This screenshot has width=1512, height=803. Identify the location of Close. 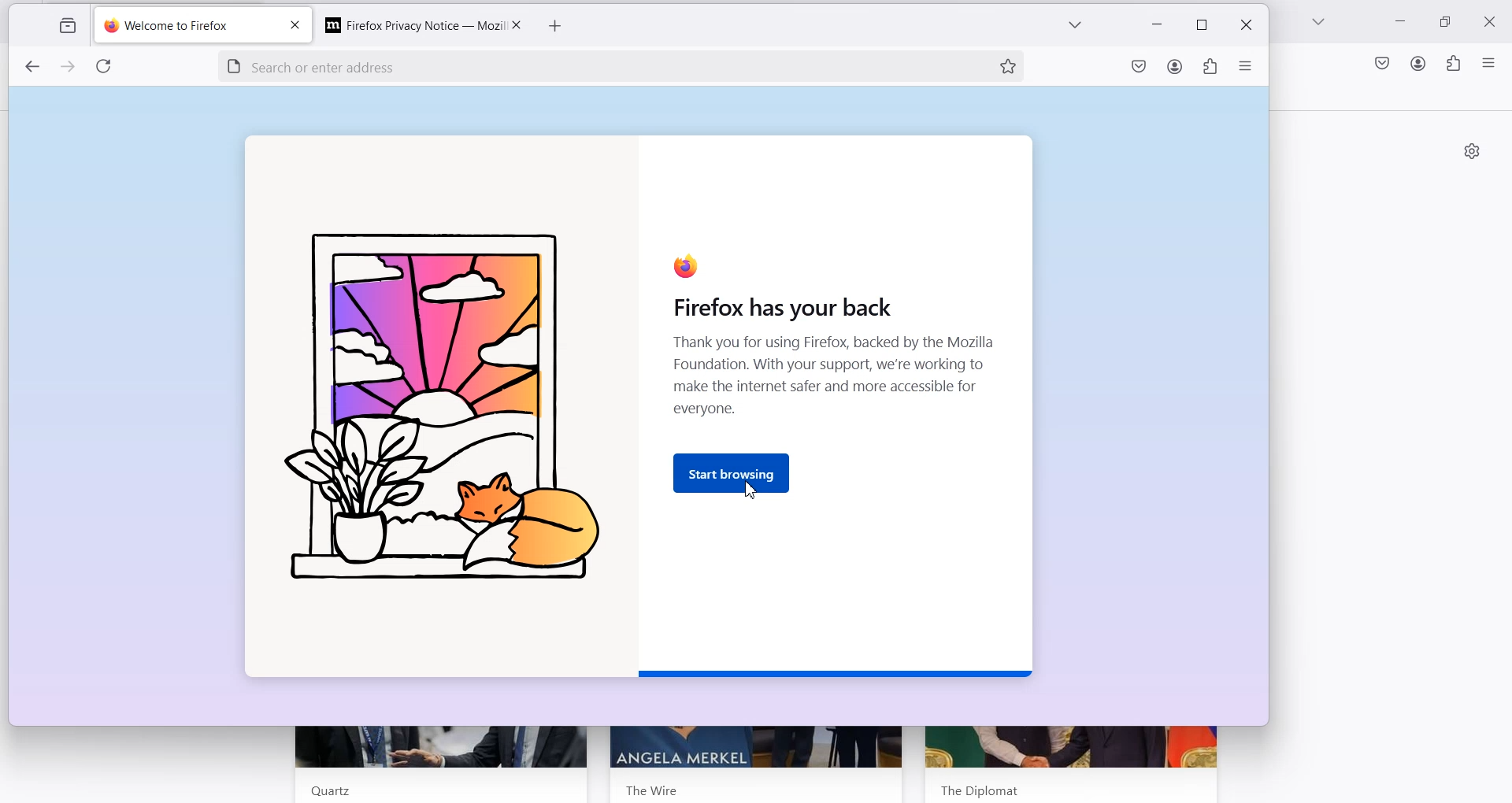
(515, 24).